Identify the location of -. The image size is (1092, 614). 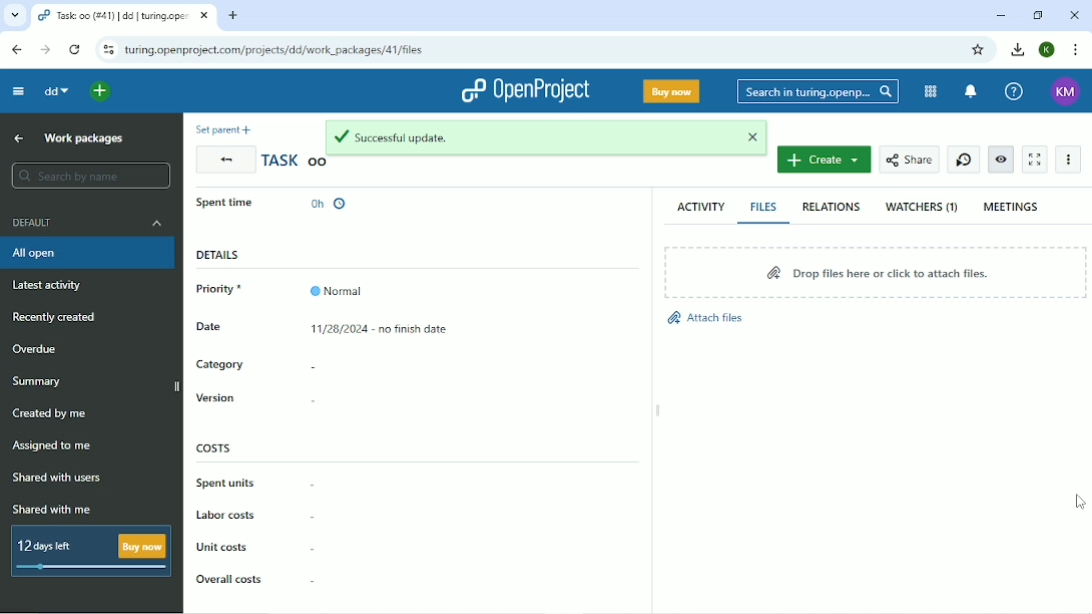
(313, 581).